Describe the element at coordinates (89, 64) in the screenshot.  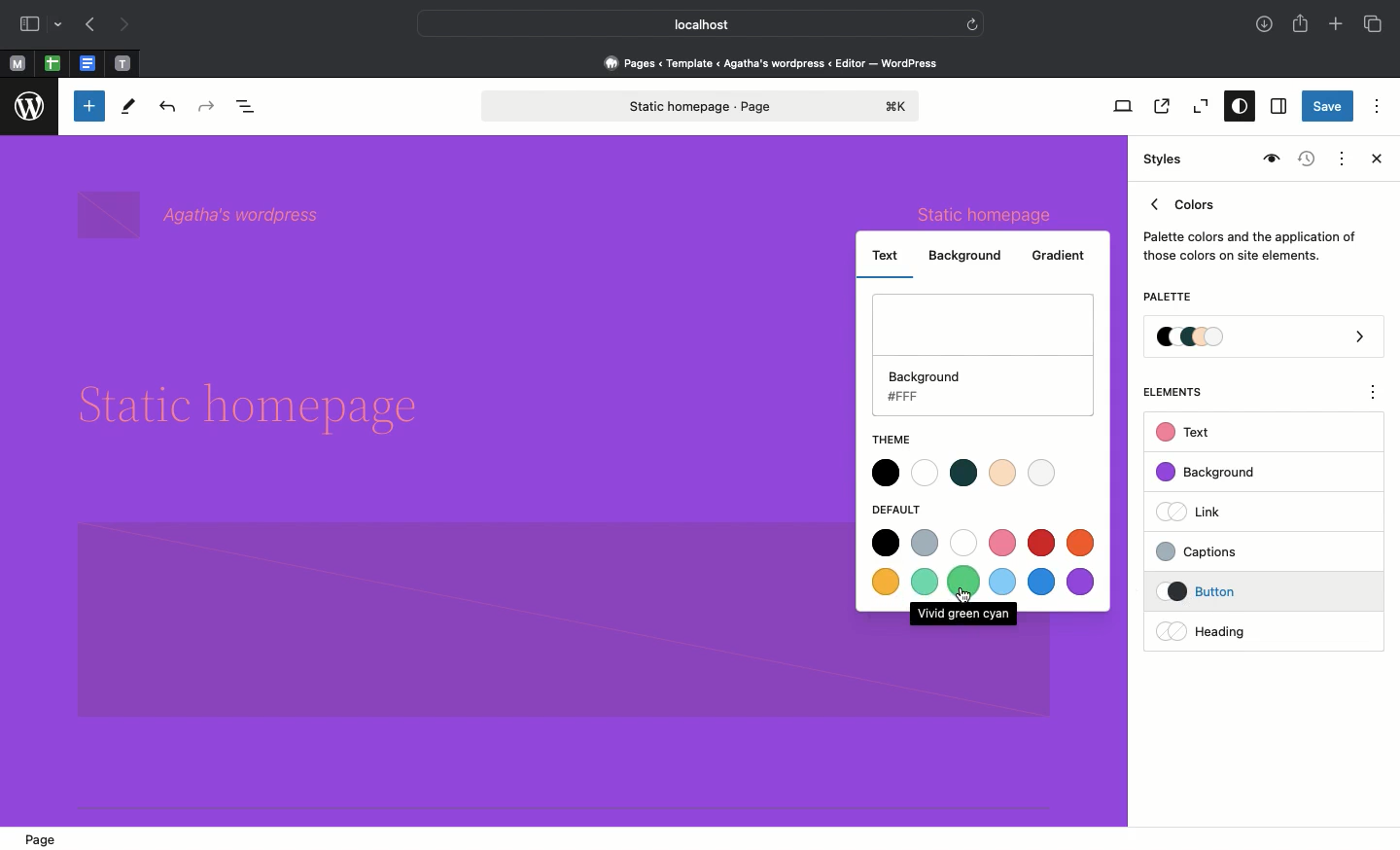
I see `Pinned tab` at that location.